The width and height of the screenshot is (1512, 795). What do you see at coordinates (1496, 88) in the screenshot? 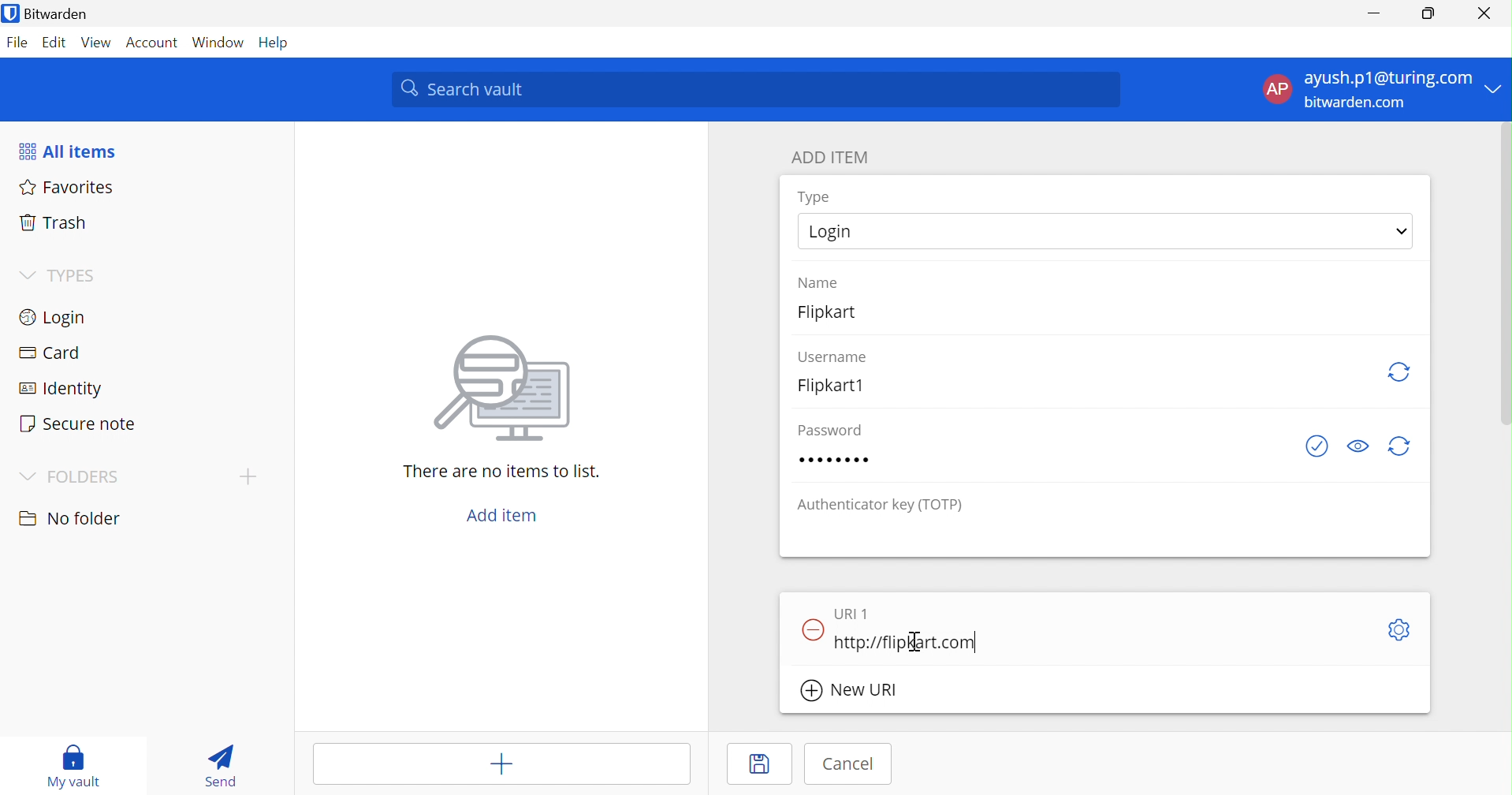
I see `Drop Down` at bounding box center [1496, 88].